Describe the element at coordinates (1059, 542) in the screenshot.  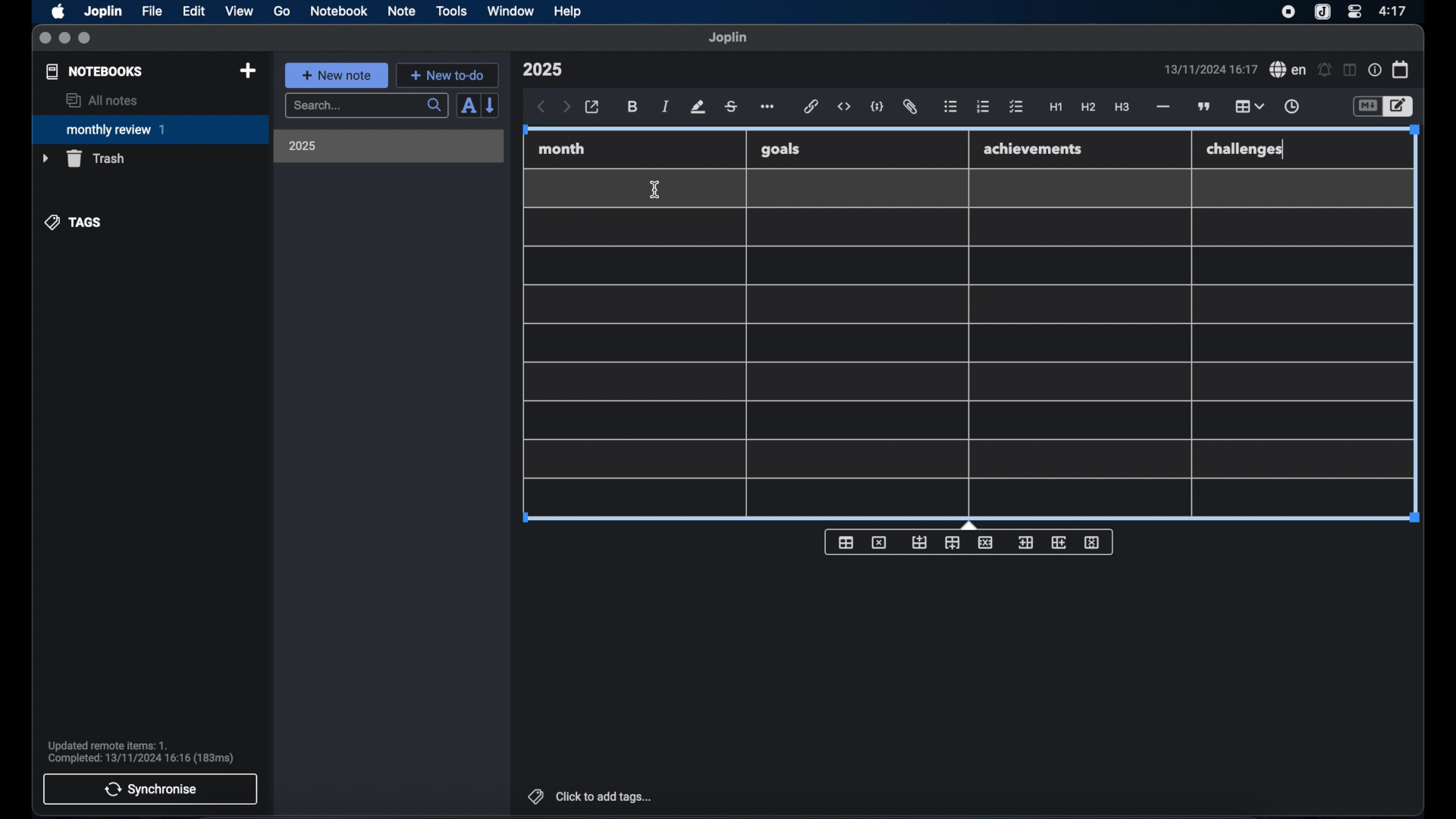
I see `insert column after` at that location.